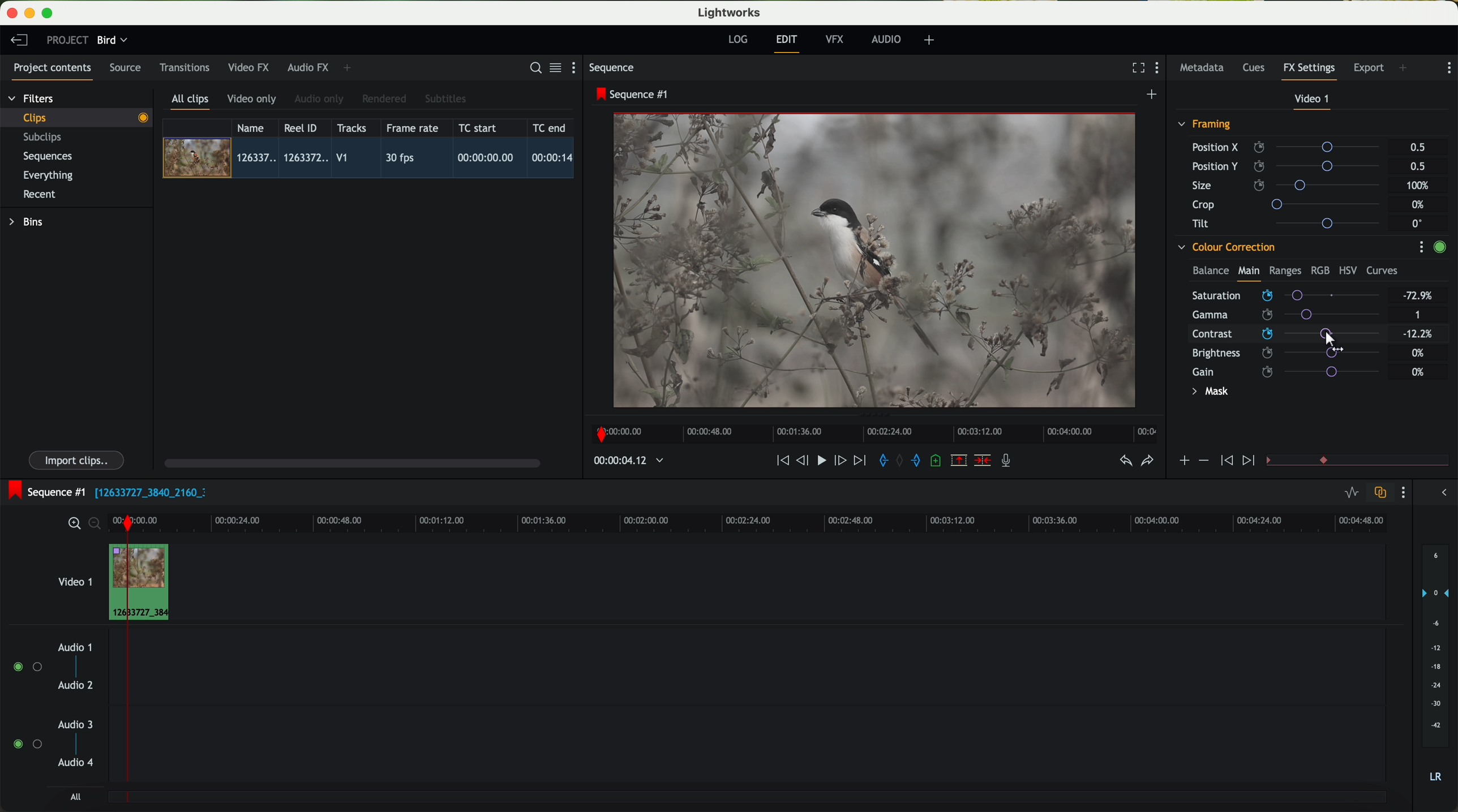  Describe the element at coordinates (1160, 69) in the screenshot. I see `show settings menu` at that location.